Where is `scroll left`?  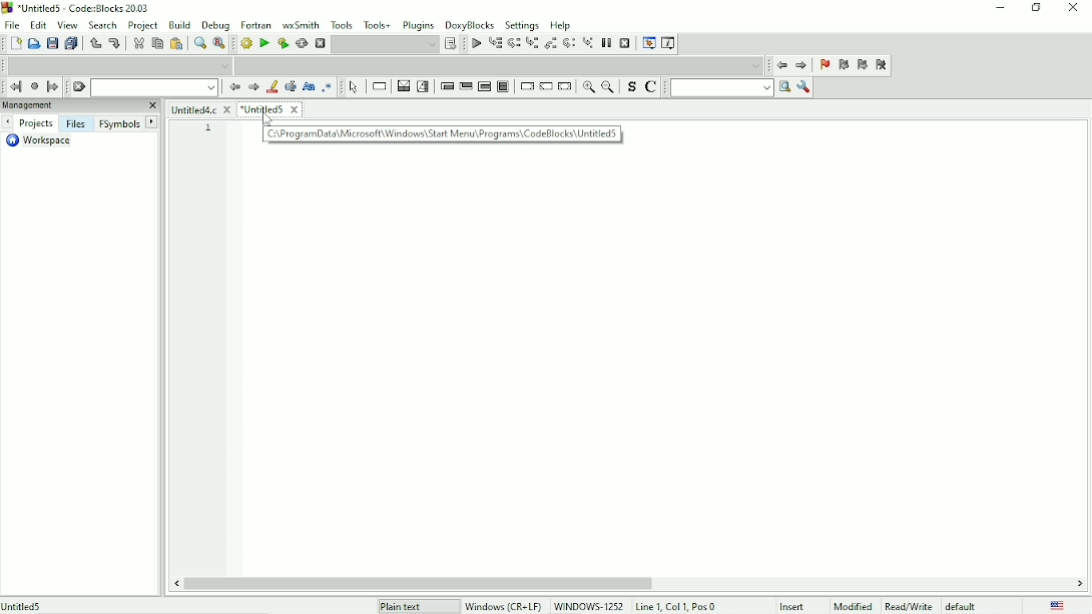
scroll left is located at coordinates (176, 584).